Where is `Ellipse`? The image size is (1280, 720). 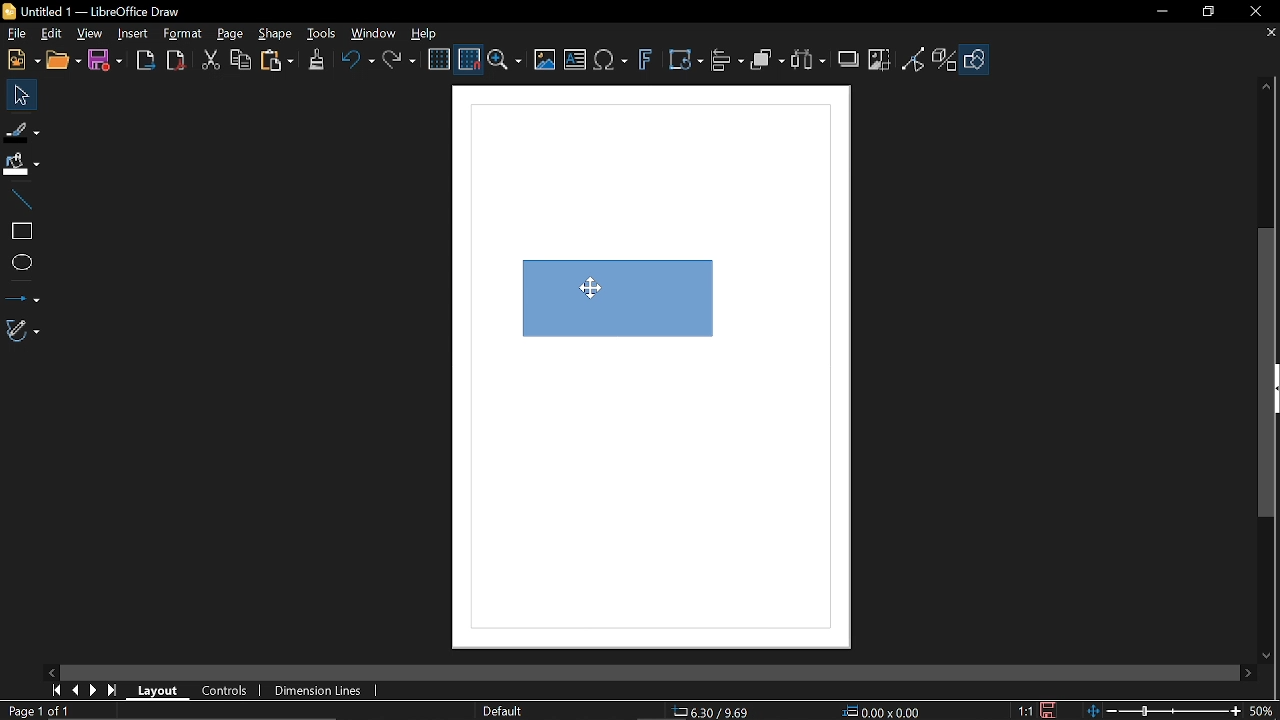 Ellipse is located at coordinates (21, 264).